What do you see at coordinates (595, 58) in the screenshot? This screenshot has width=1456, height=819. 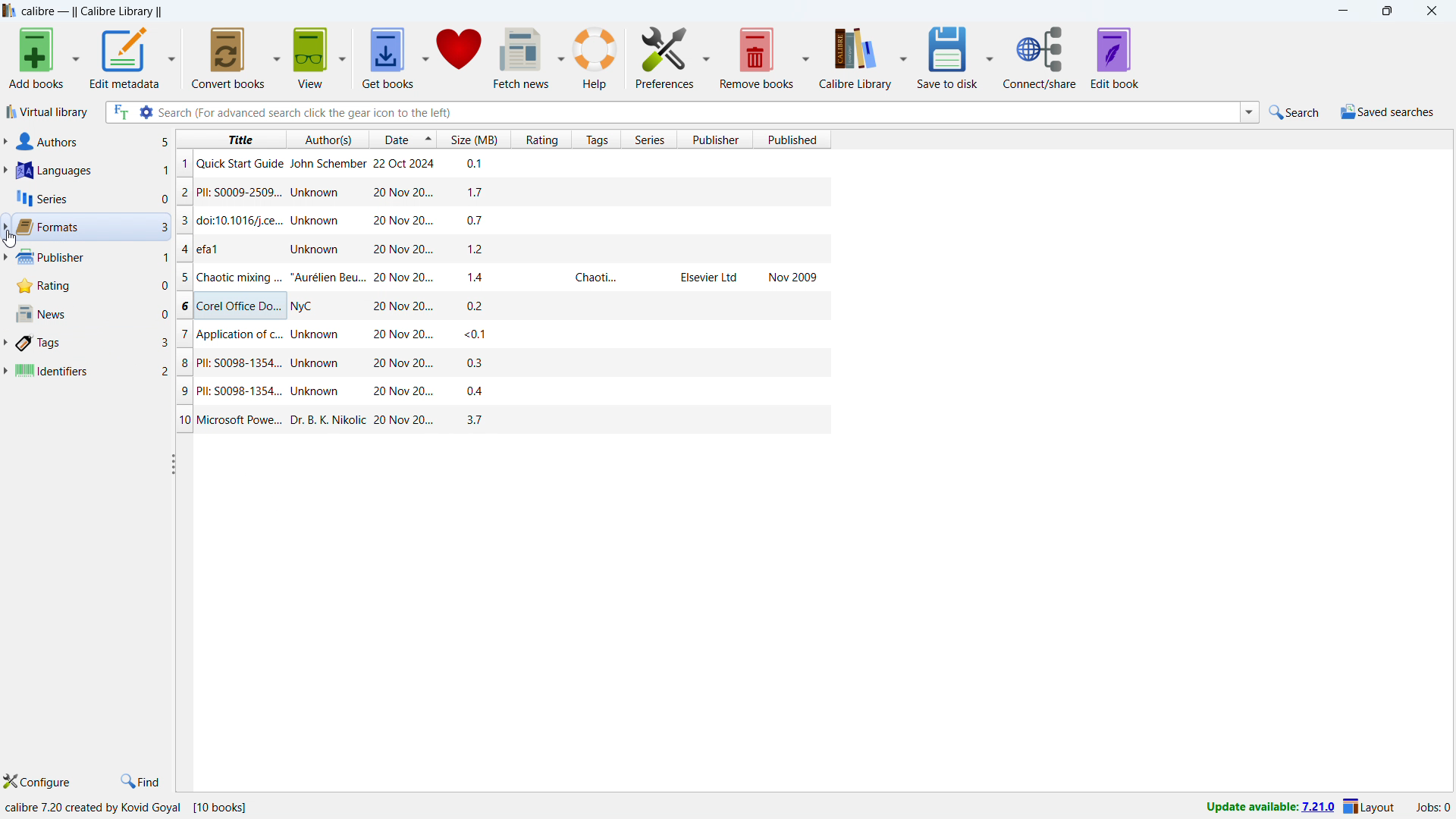 I see `help` at bounding box center [595, 58].